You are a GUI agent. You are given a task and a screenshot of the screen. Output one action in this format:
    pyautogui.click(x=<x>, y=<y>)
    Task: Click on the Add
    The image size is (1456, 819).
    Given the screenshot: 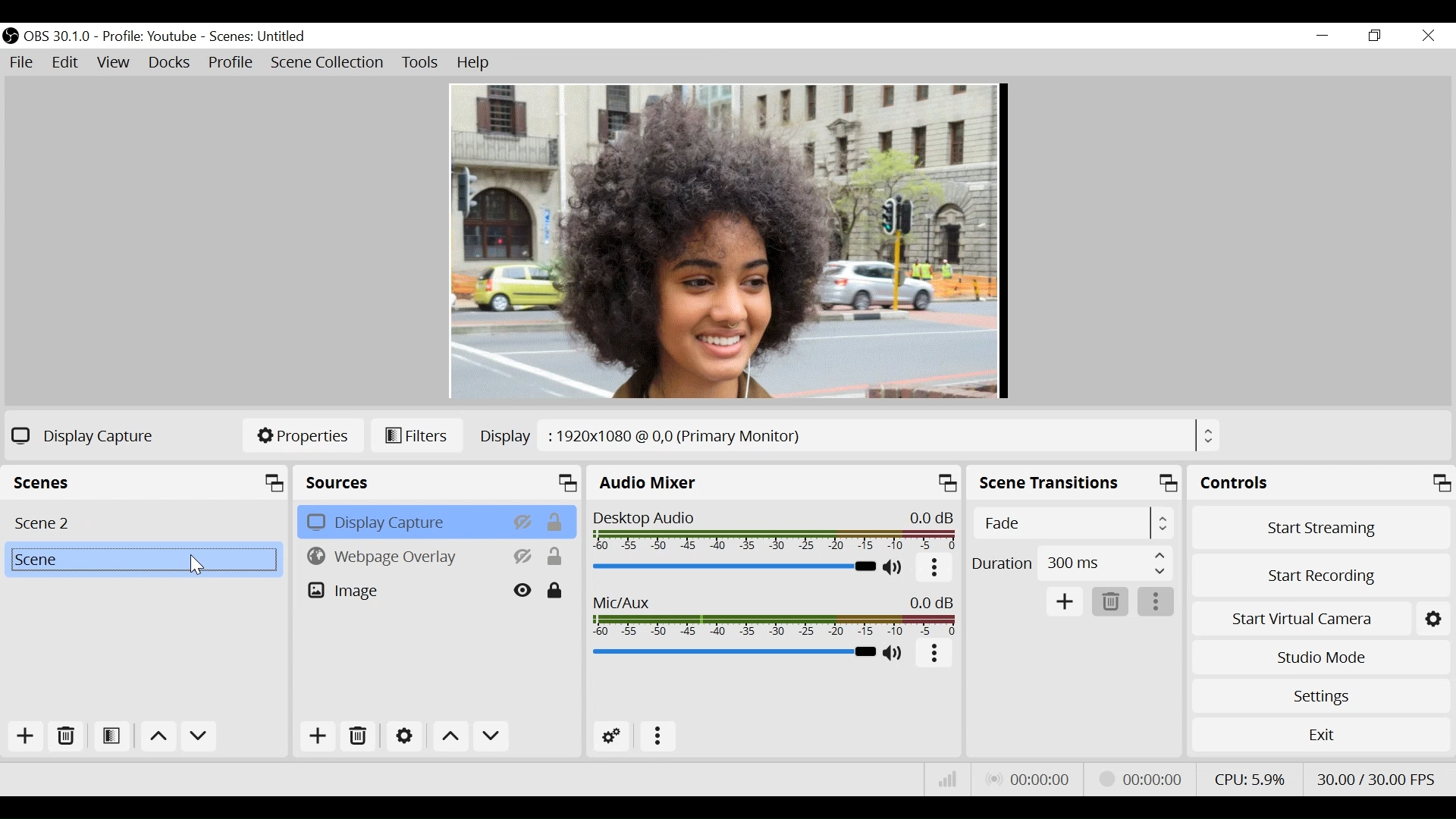 What is the action you would take?
    pyautogui.click(x=27, y=736)
    